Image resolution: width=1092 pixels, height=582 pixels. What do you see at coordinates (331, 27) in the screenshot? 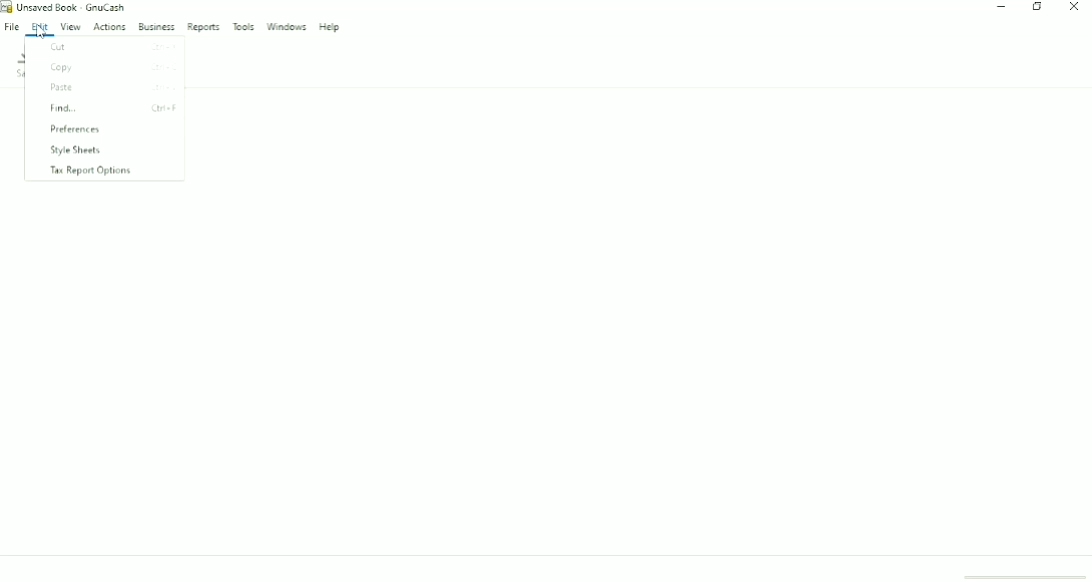
I see `Help` at bounding box center [331, 27].